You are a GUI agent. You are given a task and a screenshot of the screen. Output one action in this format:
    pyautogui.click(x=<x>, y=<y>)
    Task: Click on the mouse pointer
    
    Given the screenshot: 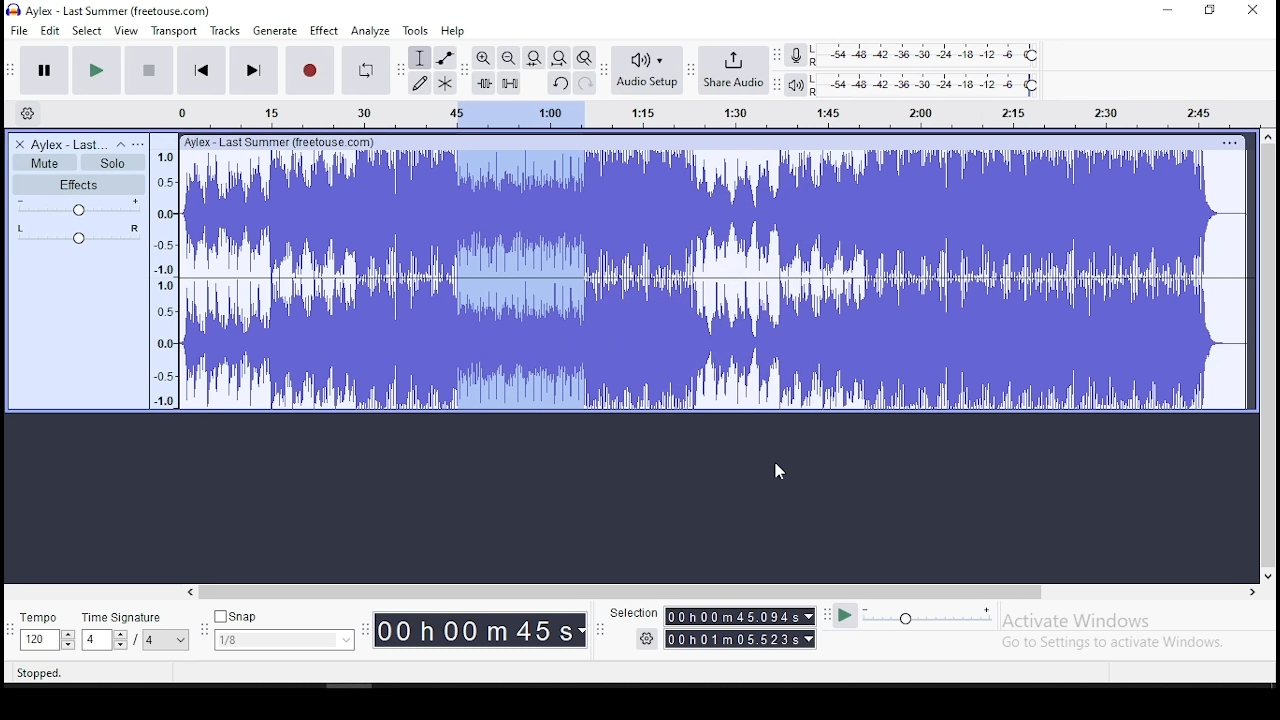 What is the action you would take?
    pyautogui.click(x=777, y=472)
    